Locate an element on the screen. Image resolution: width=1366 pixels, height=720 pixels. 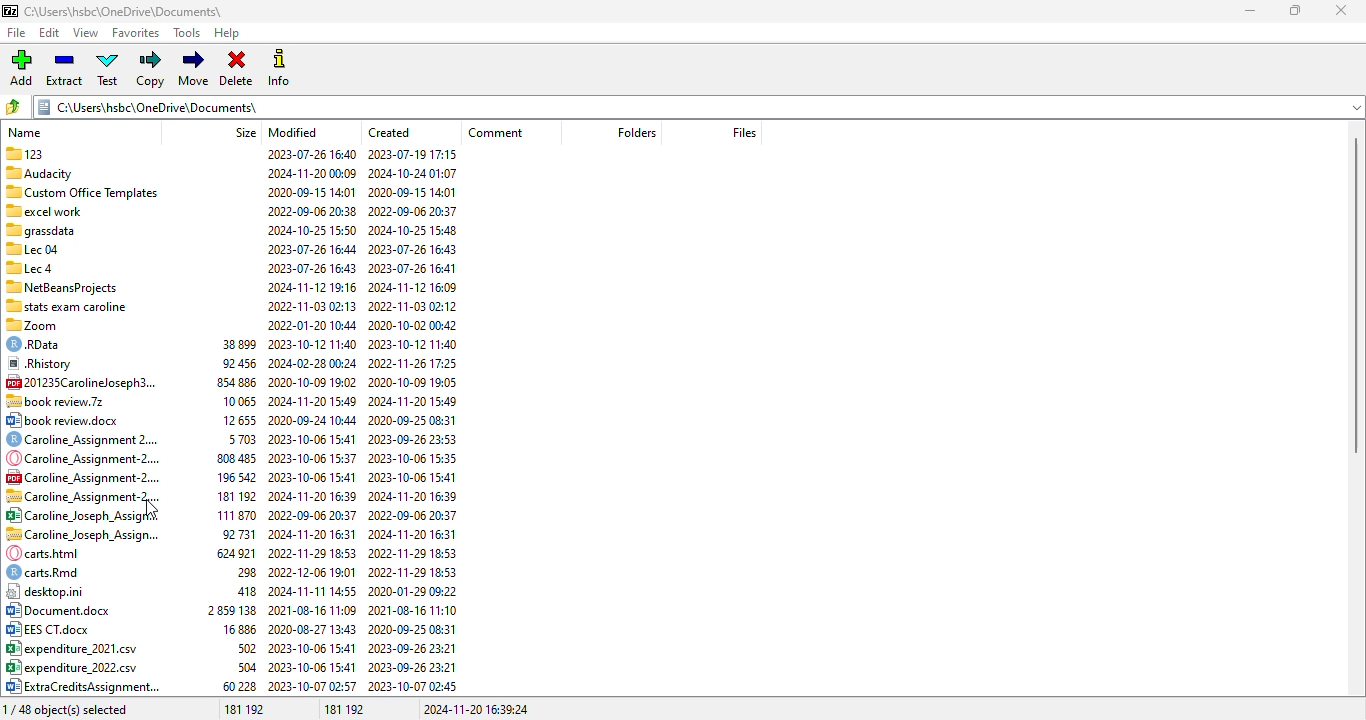
| Bl stats exam caroline 2022-11-03 02:13 2022-11-03 02:12 is located at coordinates (229, 304).